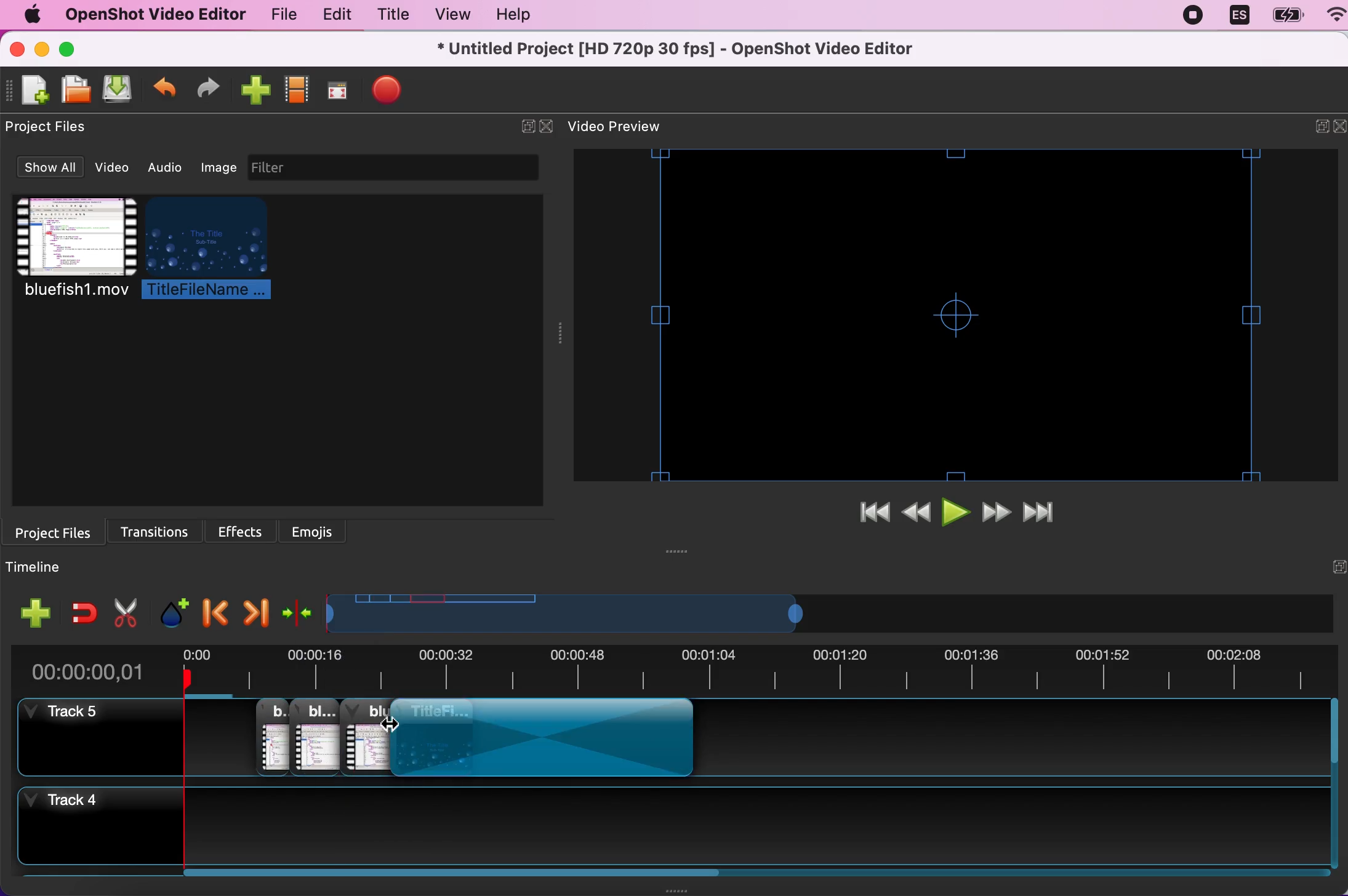 This screenshot has height=896, width=1348. What do you see at coordinates (1283, 16) in the screenshot?
I see `battery` at bounding box center [1283, 16].